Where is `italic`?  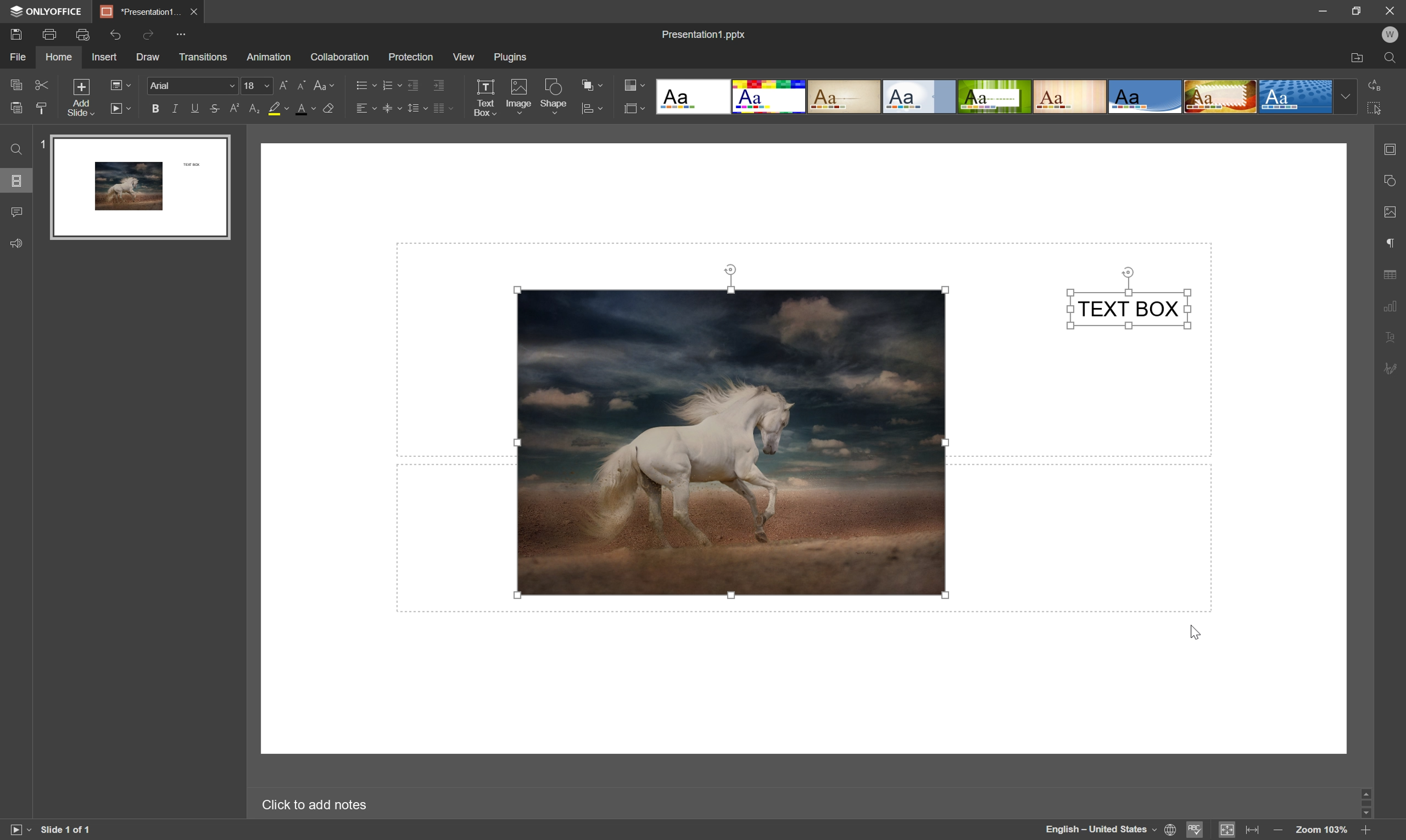 italic is located at coordinates (175, 108).